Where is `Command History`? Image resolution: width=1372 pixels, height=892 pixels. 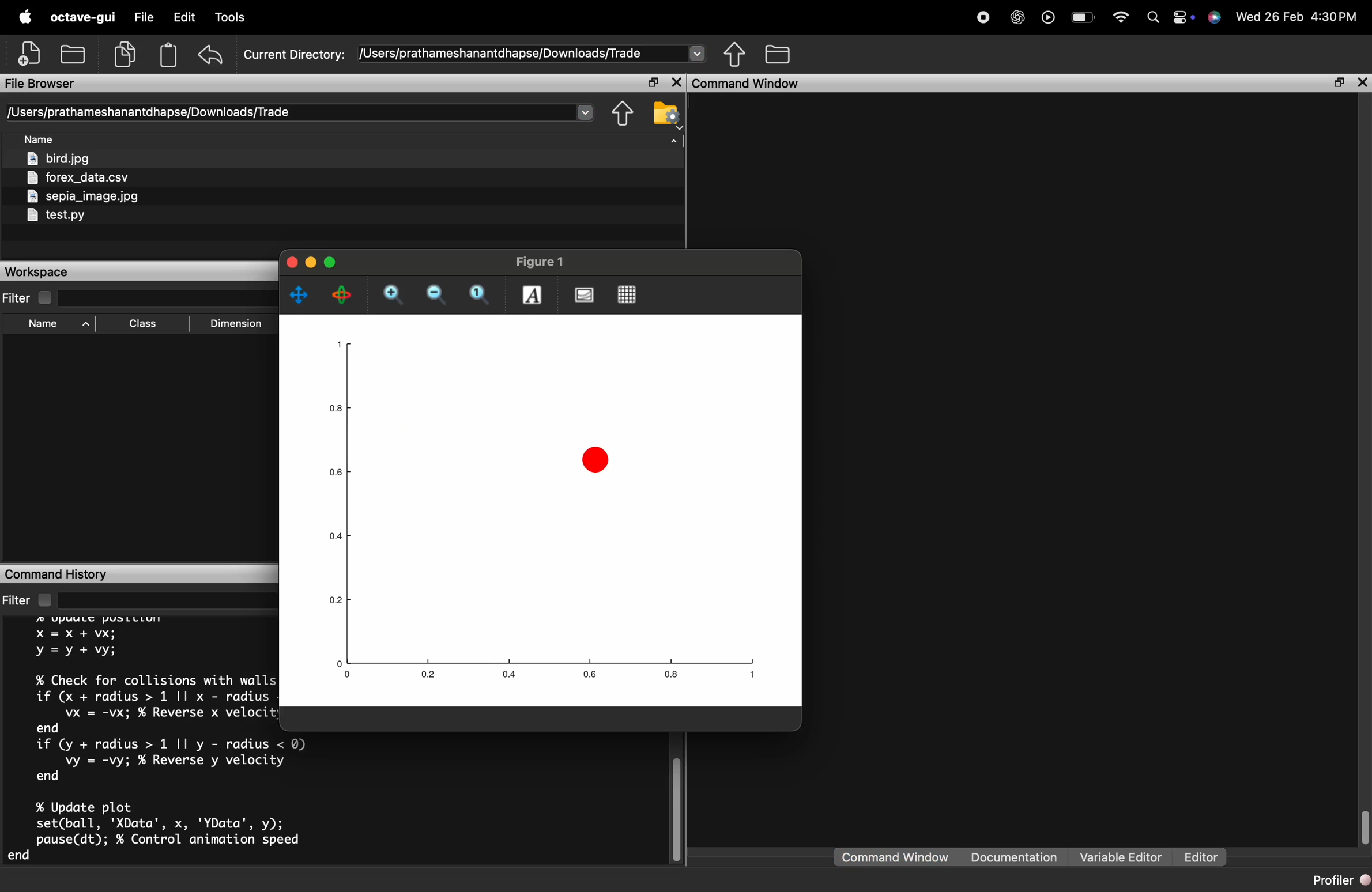 Command History is located at coordinates (55, 575).